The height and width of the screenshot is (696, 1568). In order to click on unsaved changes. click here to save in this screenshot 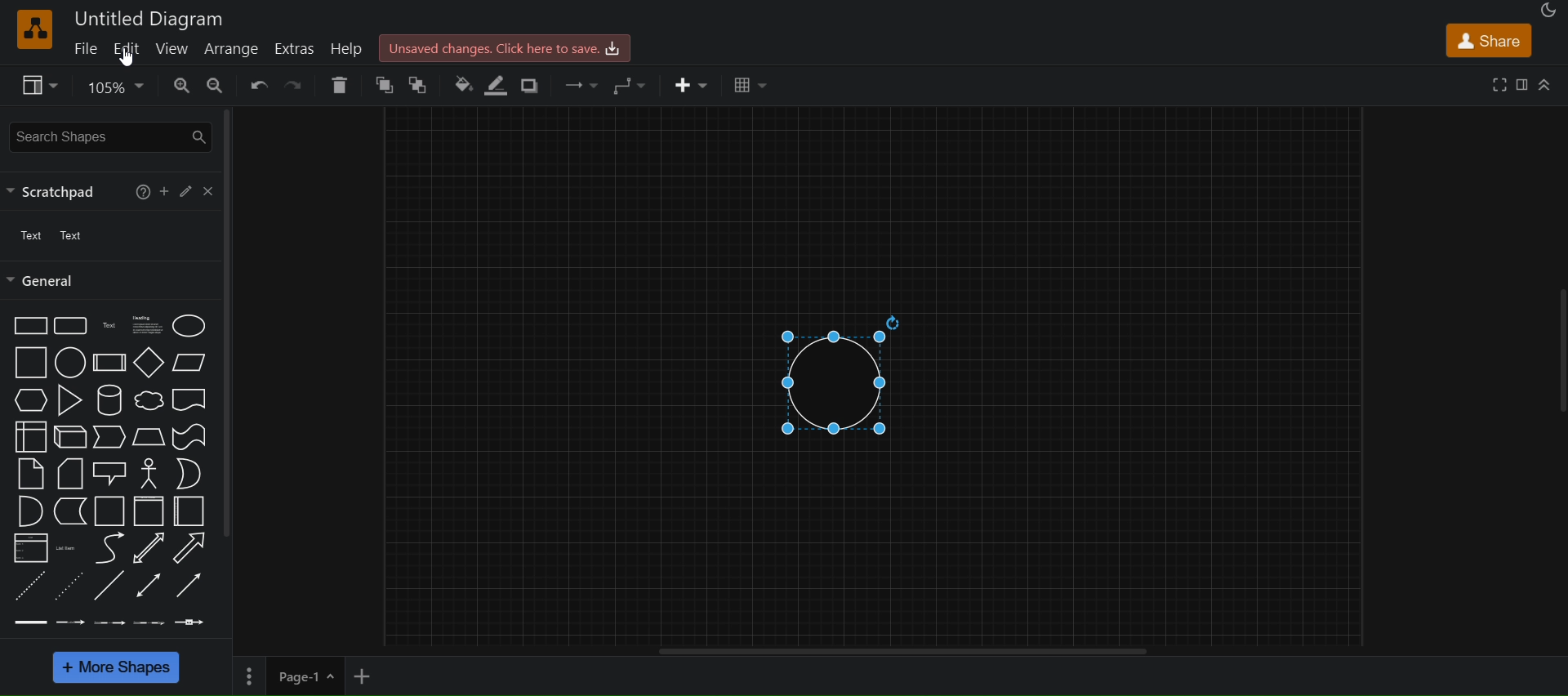, I will do `click(501, 46)`.